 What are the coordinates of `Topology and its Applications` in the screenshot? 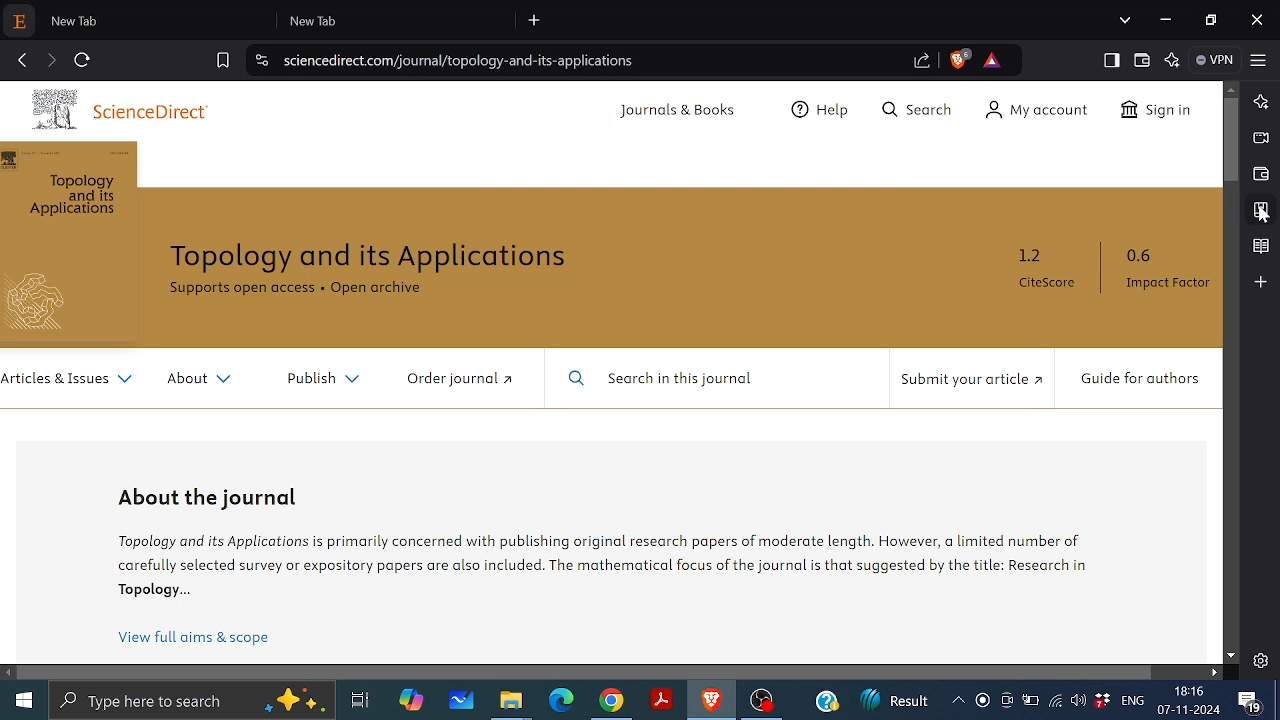 It's located at (69, 197).